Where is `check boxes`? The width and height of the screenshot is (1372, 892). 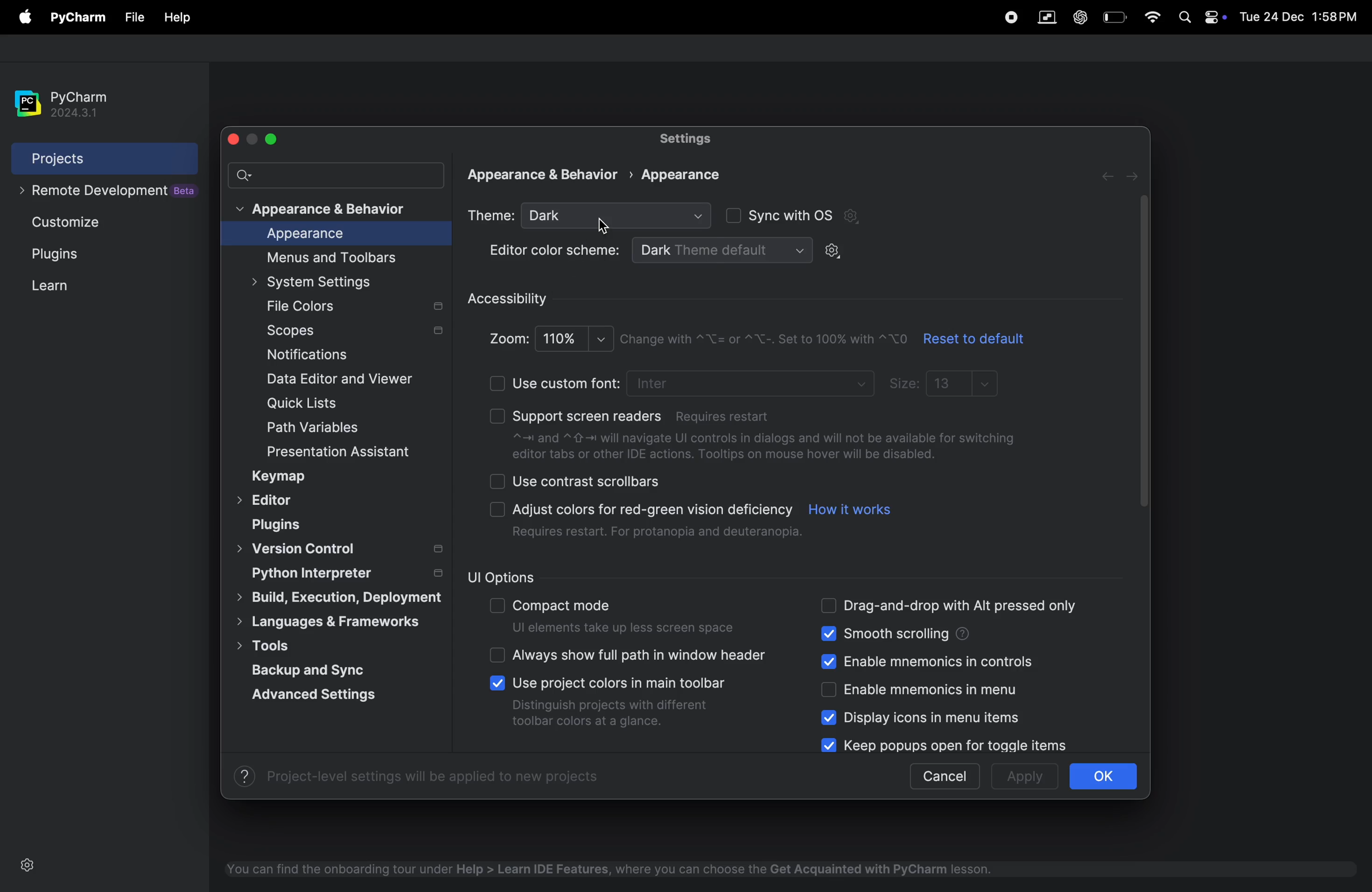 check boxes is located at coordinates (827, 635).